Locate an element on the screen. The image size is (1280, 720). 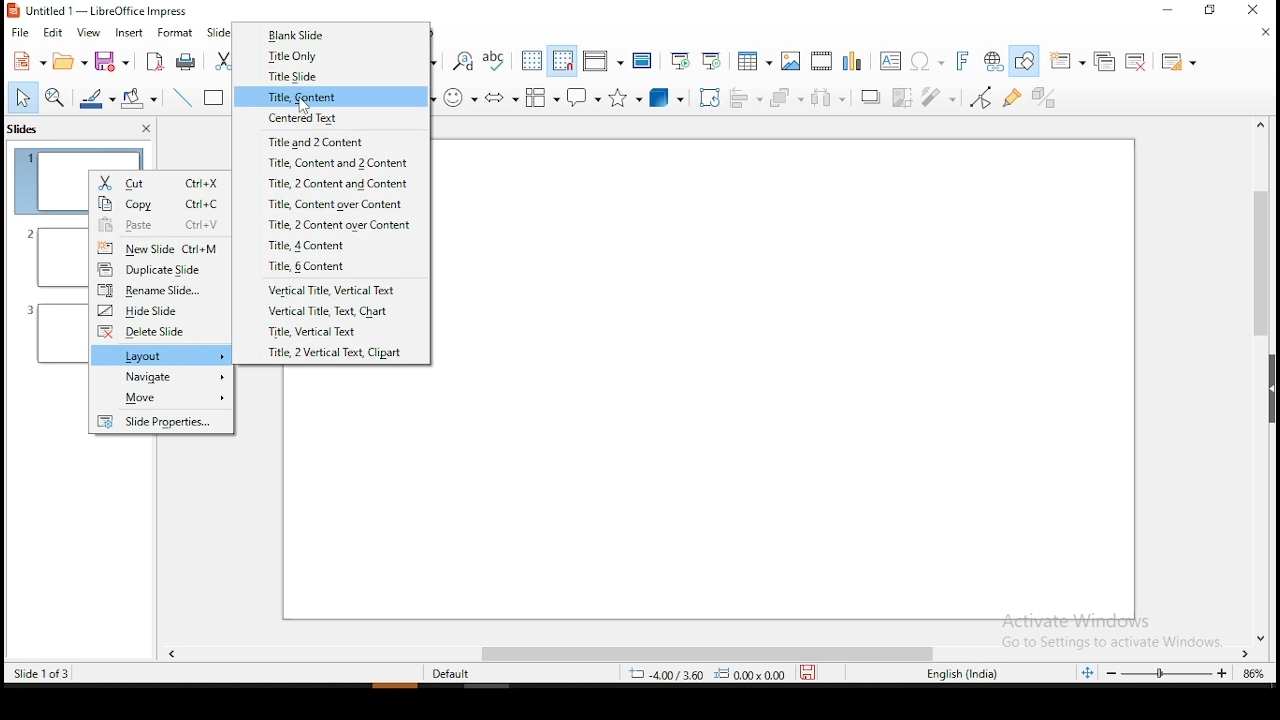
save is located at coordinates (109, 62).